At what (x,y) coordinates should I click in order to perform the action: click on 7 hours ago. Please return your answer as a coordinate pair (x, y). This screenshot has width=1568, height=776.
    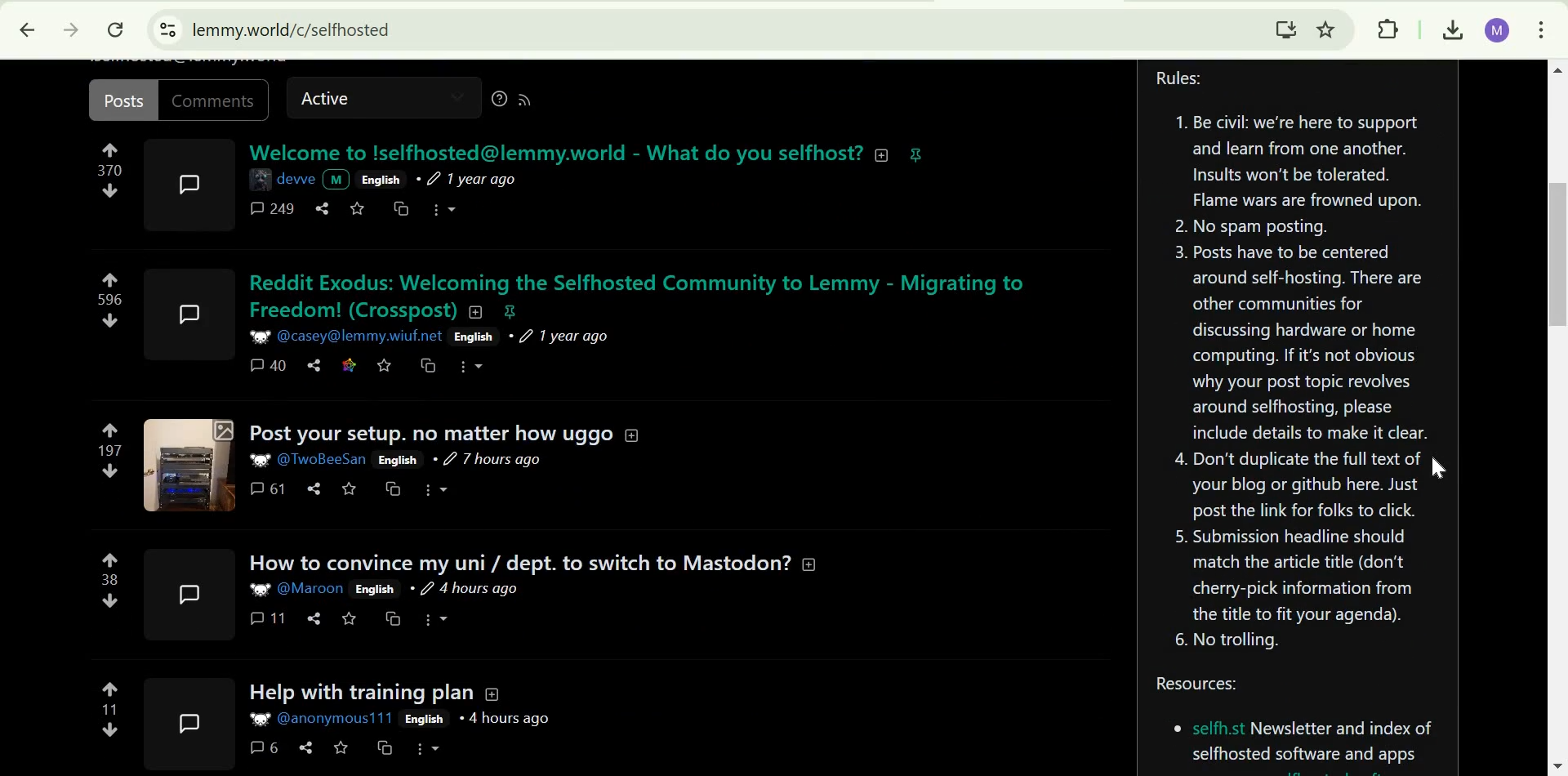
    Looking at the image, I should click on (488, 461).